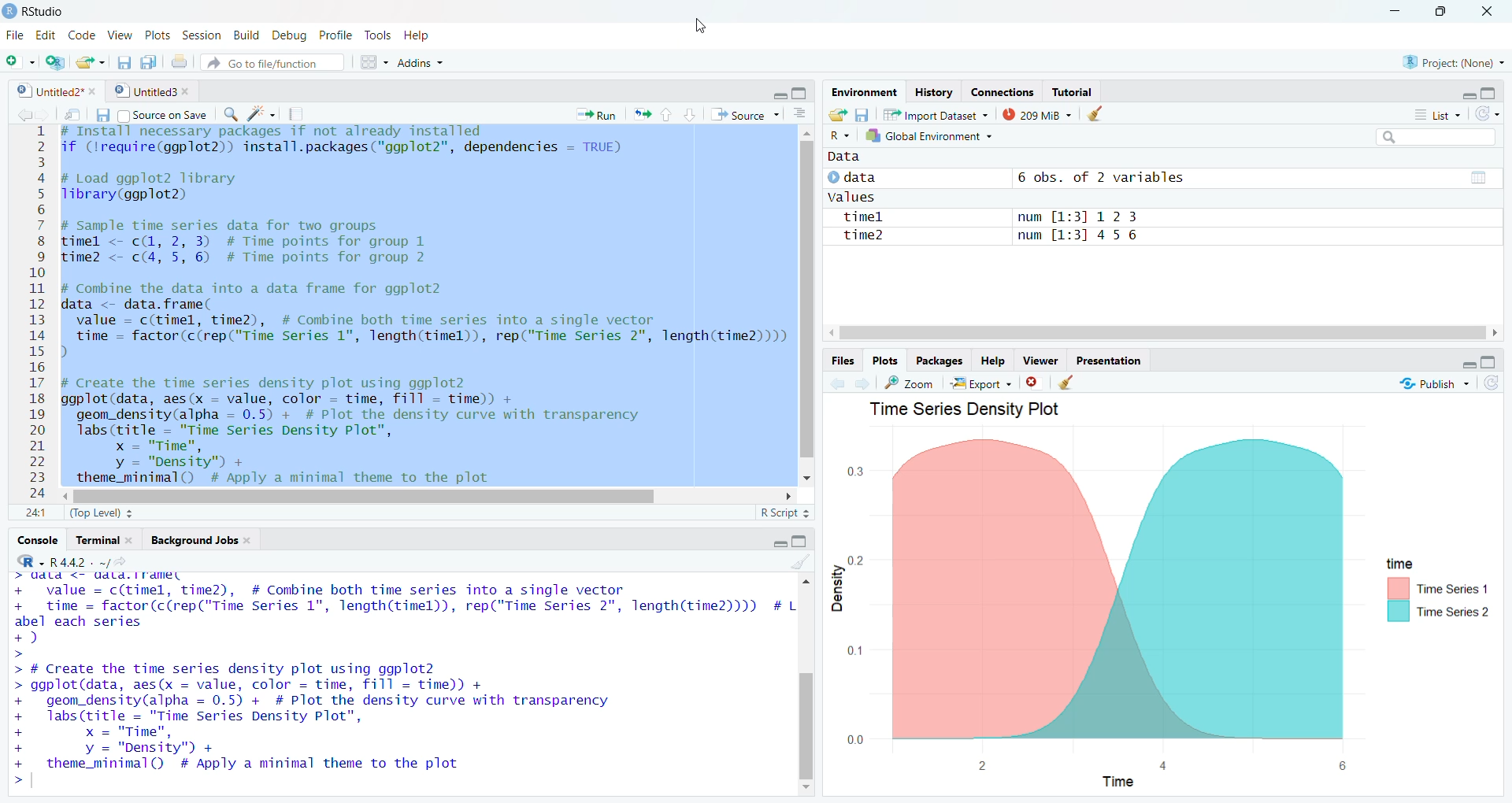  Describe the element at coordinates (28, 561) in the screenshot. I see `R` at that location.